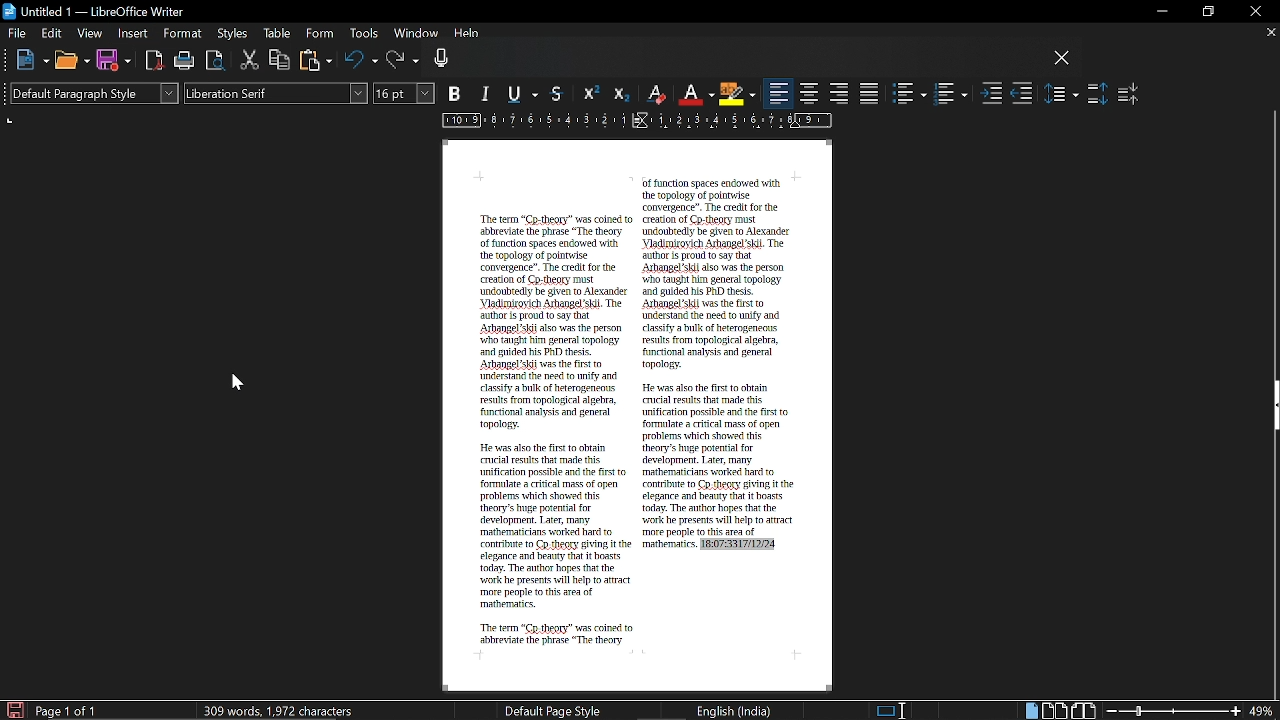  Describe the element at coordinates (468, 36) in the screenshot. I see `Help` at that location.